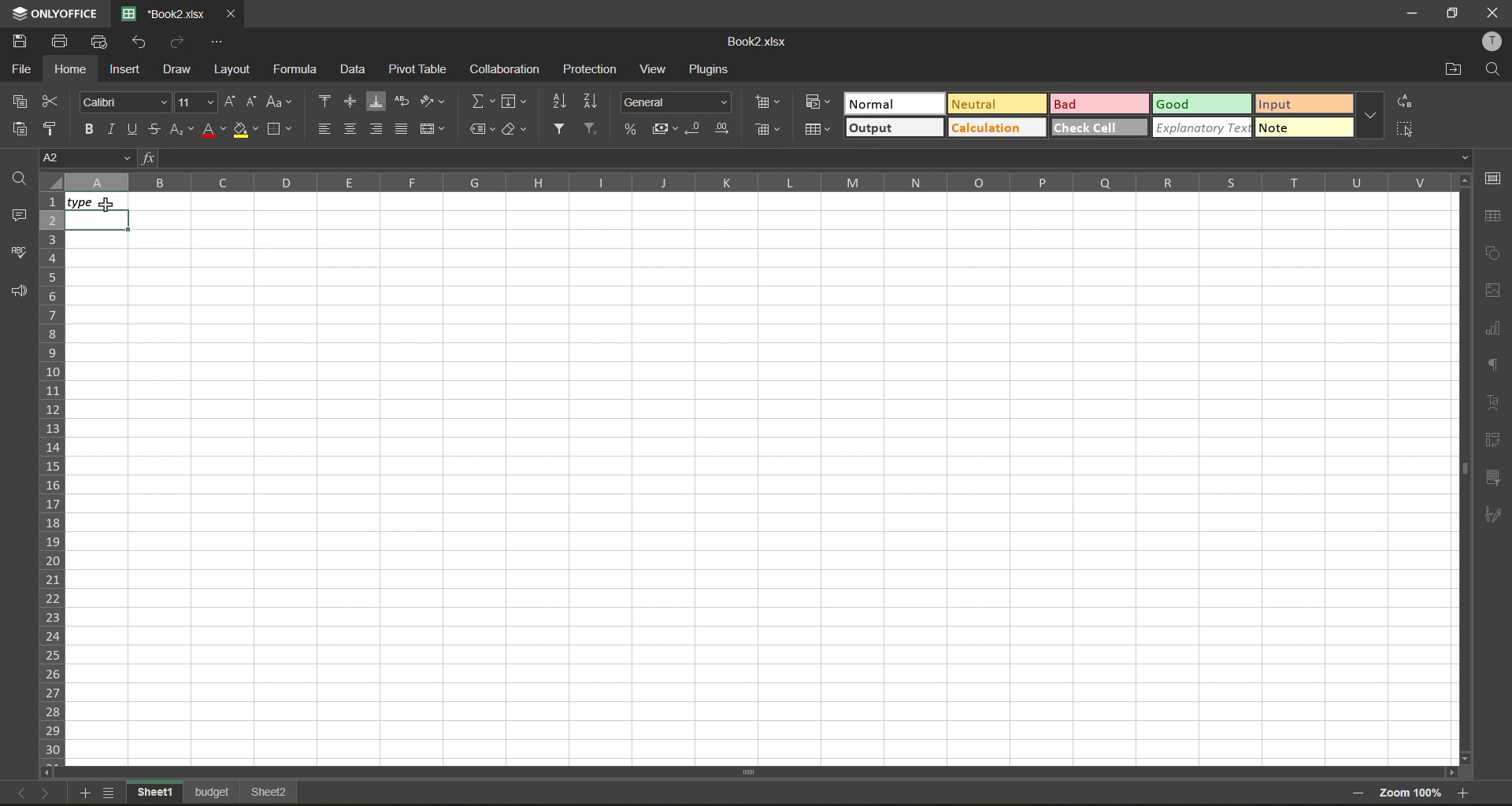  I want to click on good, so click(1207, 105).